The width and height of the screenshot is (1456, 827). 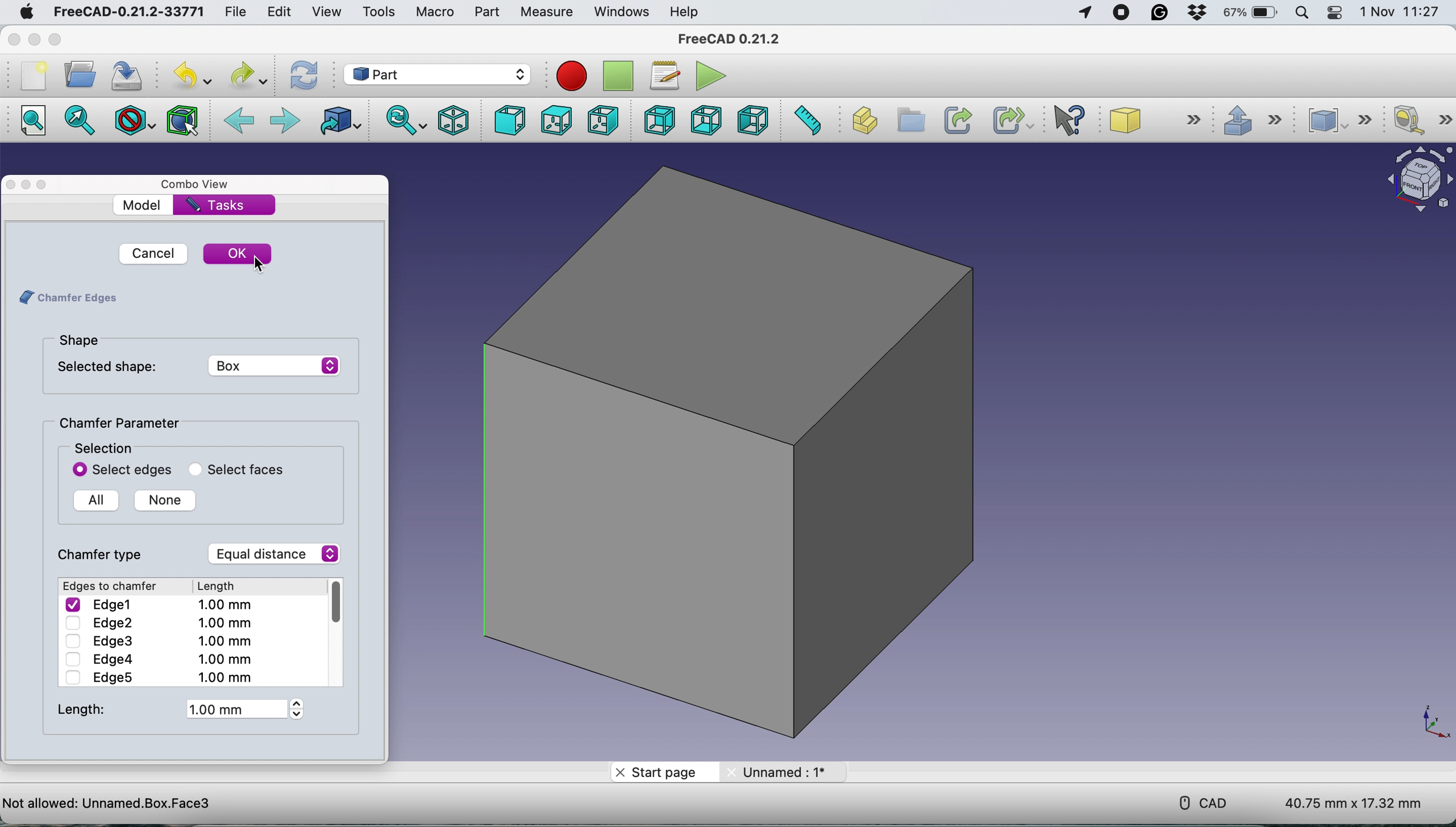 What do you see at coordinates (133, 120) in the screenshot?
I see `draw style` at bounding box center [133, 120].